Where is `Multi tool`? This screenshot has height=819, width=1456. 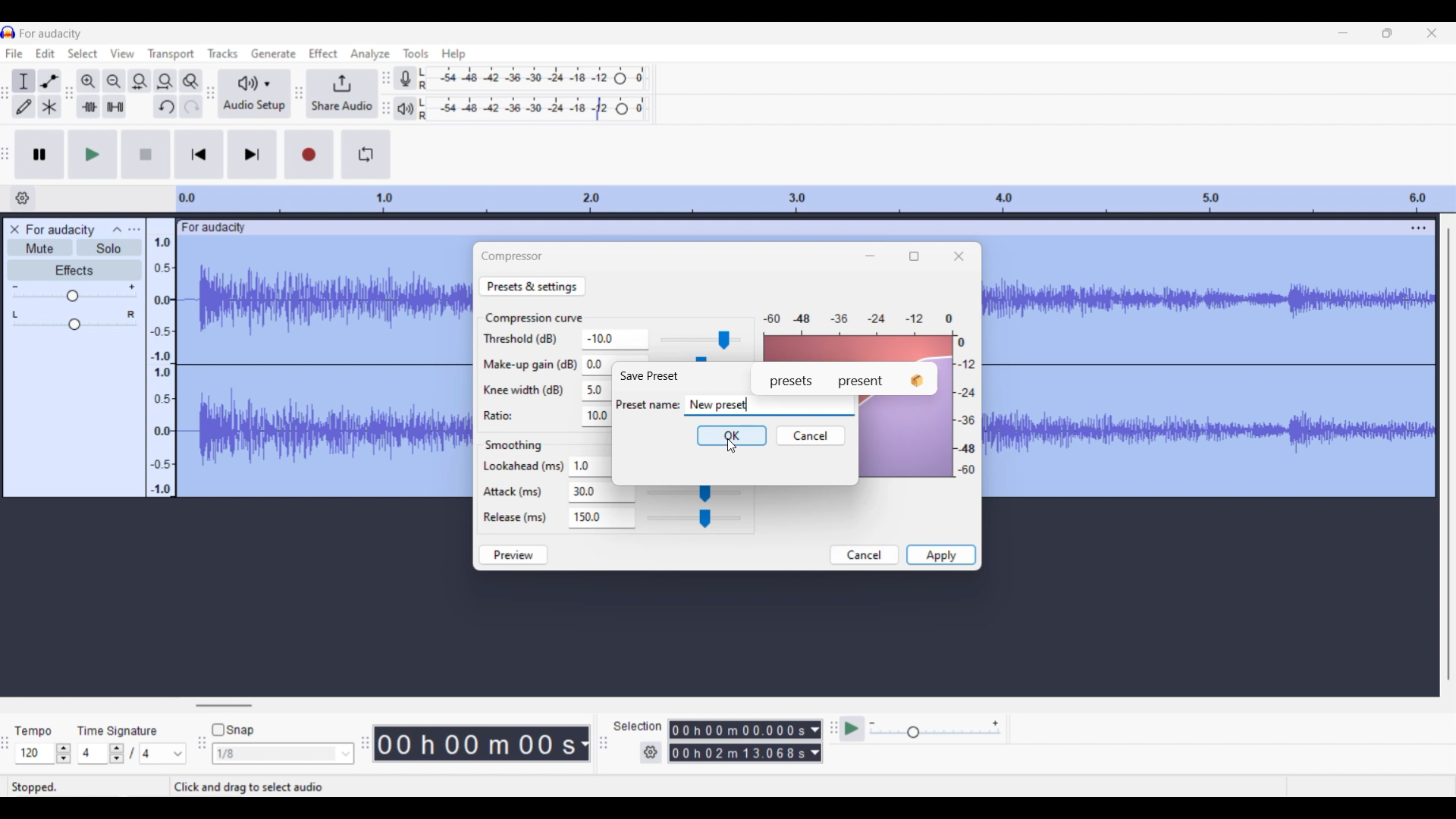 Multi tool is located at coordinates (49, 106).